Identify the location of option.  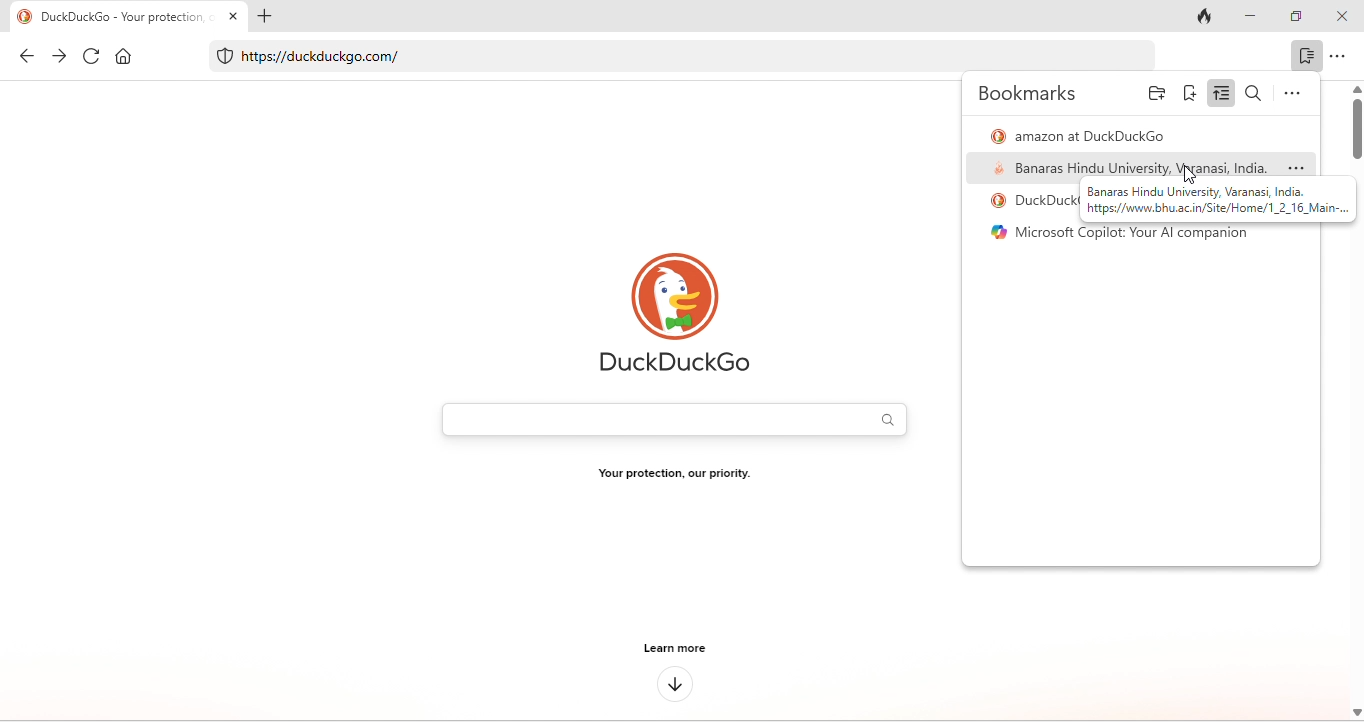
(1289, 94).